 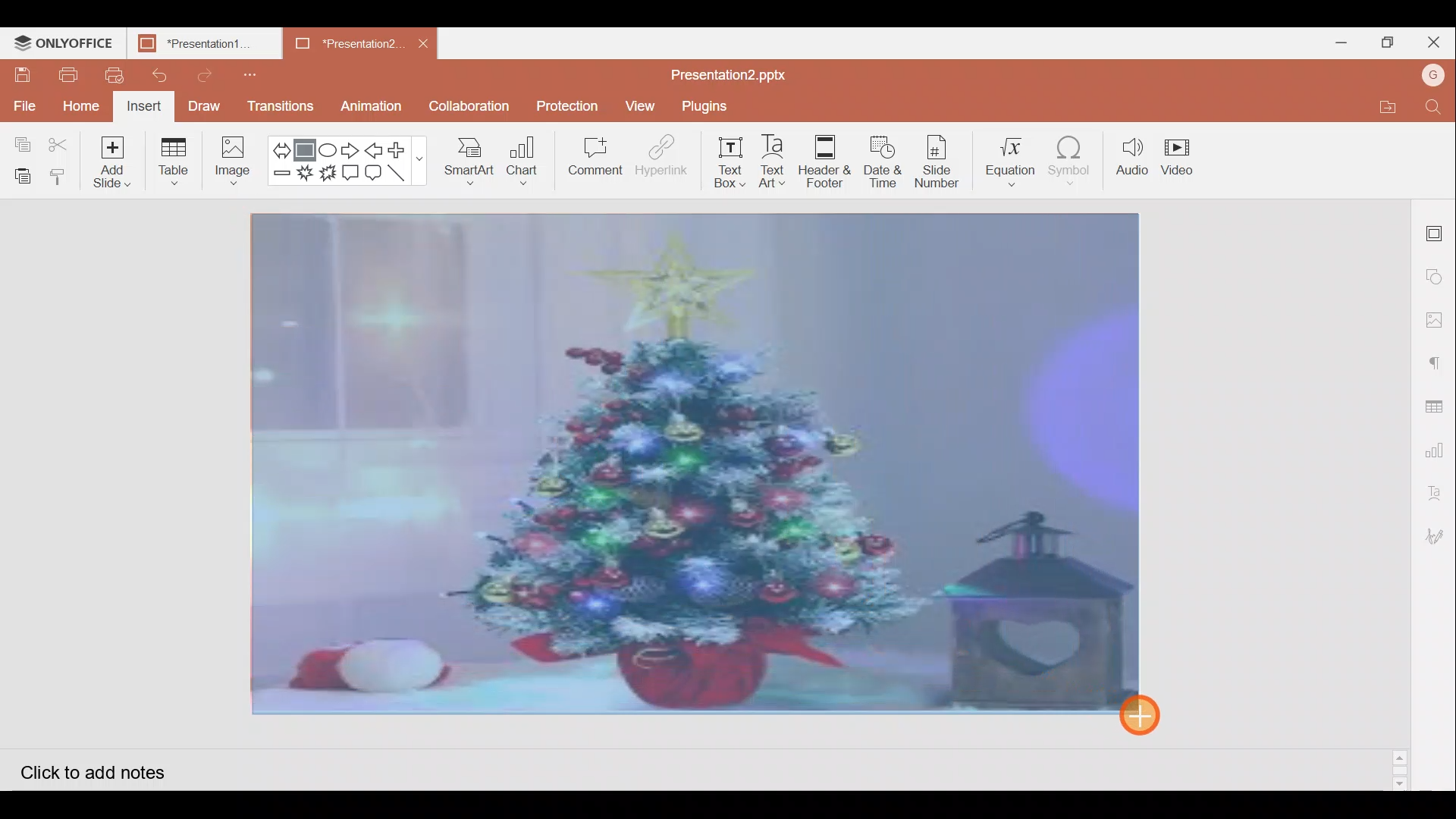 What do you see at coordinates (281, 177) in the screenshot?
I see `Minus` at bounding box center [281, 177].